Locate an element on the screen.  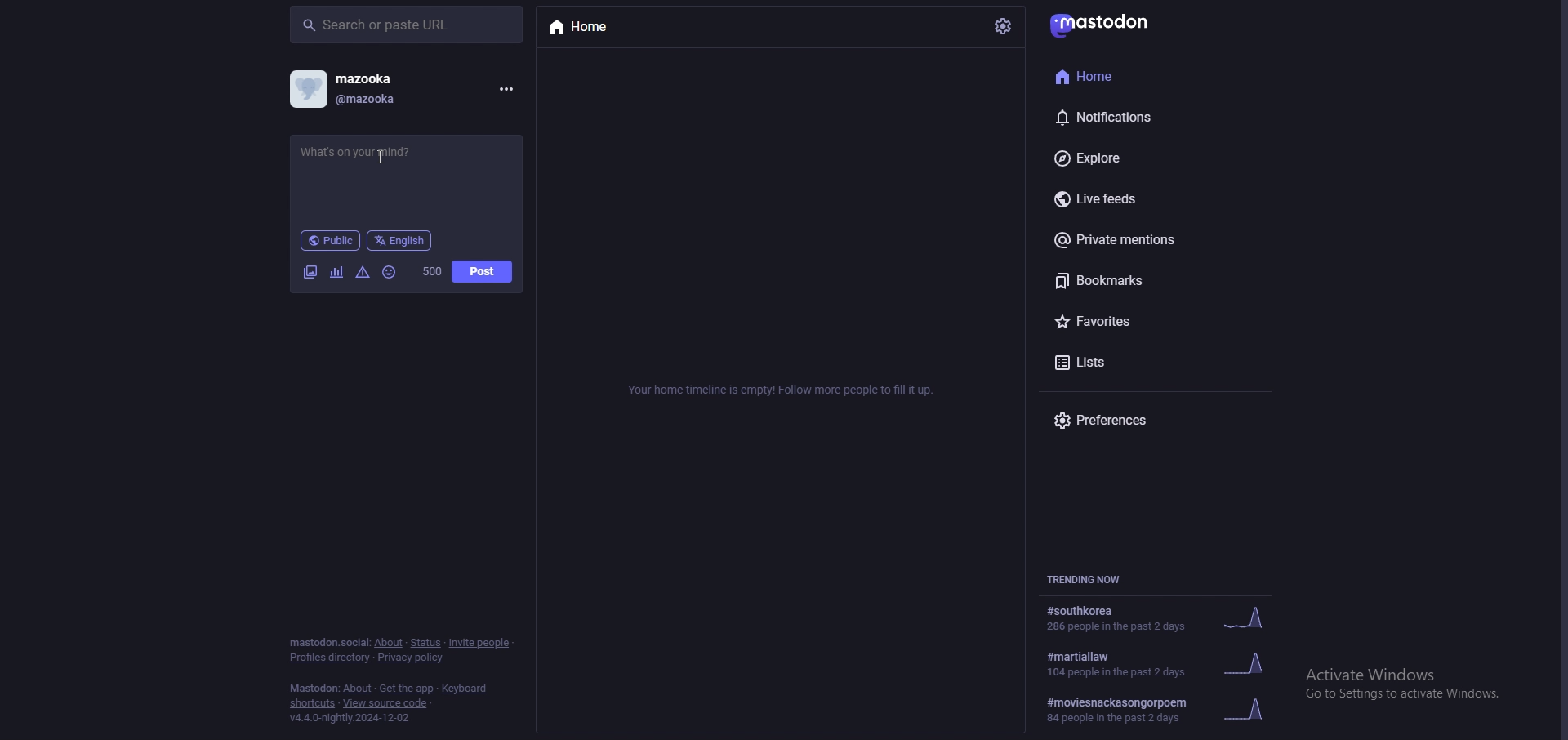
trending is located at coordinates (1160, 665).